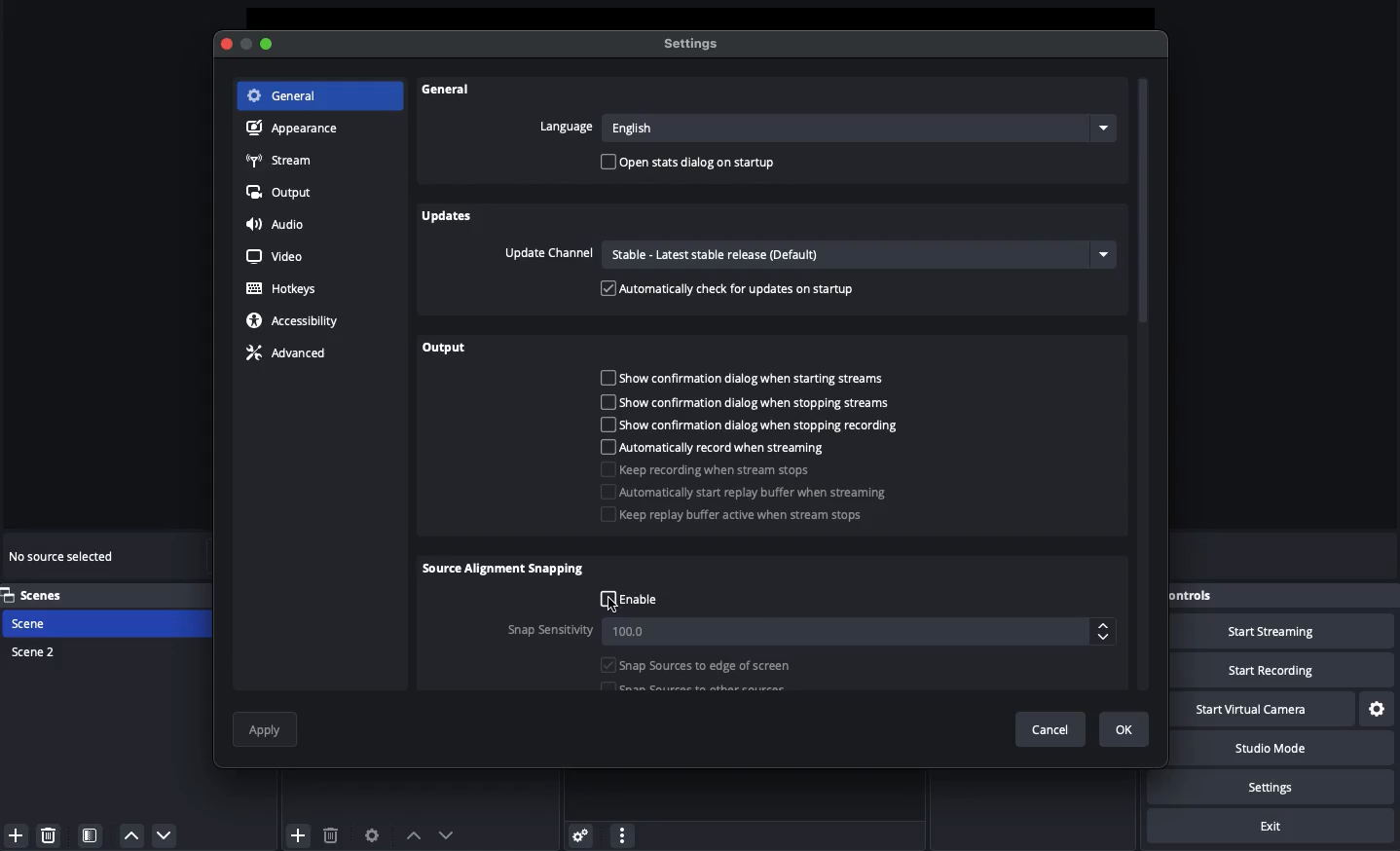 The image size is (1400, 851). I want to click on Add, so click(14, 833).